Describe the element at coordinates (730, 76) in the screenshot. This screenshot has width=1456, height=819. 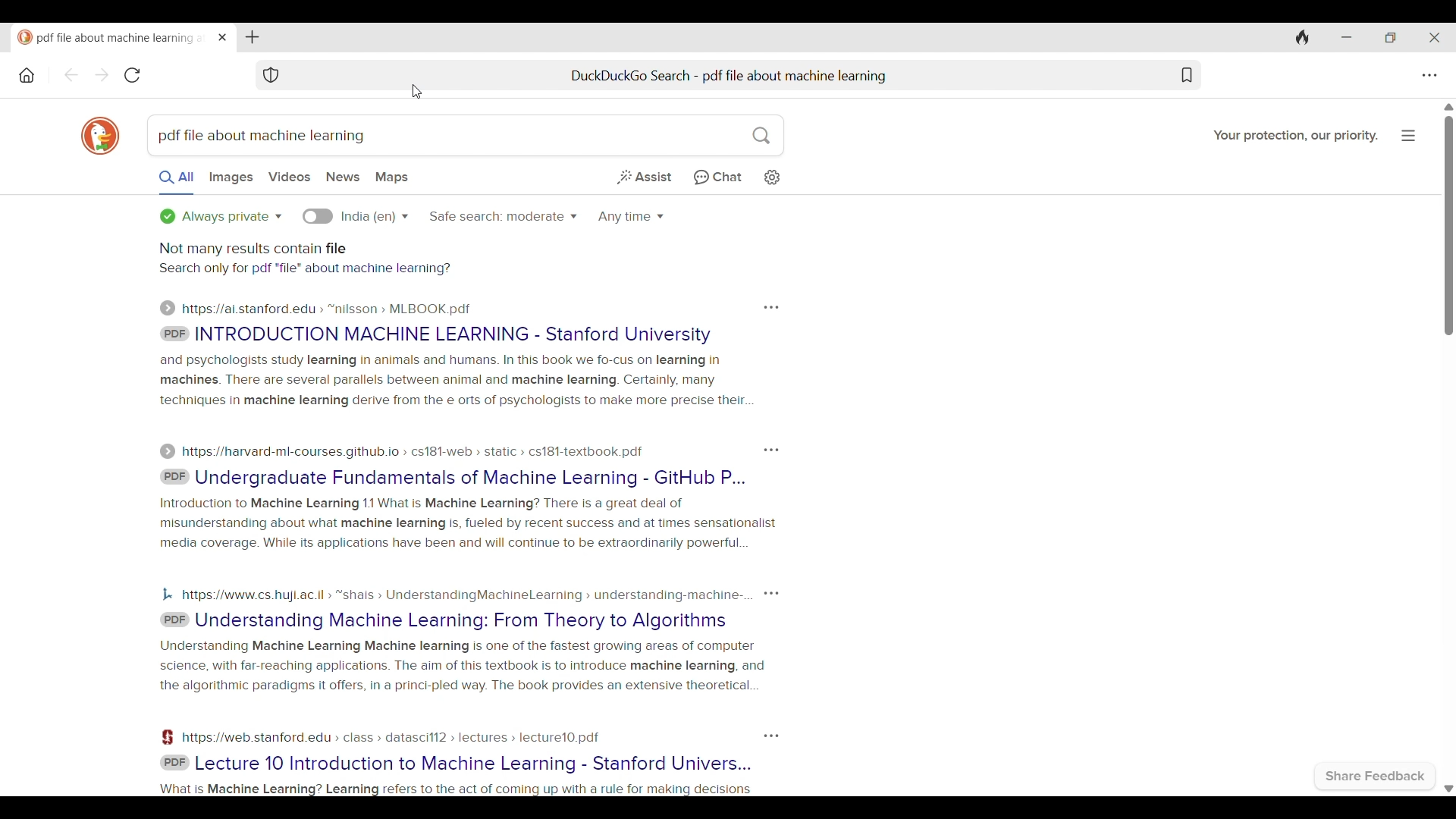
I see `DuckDuckGo Search - pdf file about machine learning` at that location.